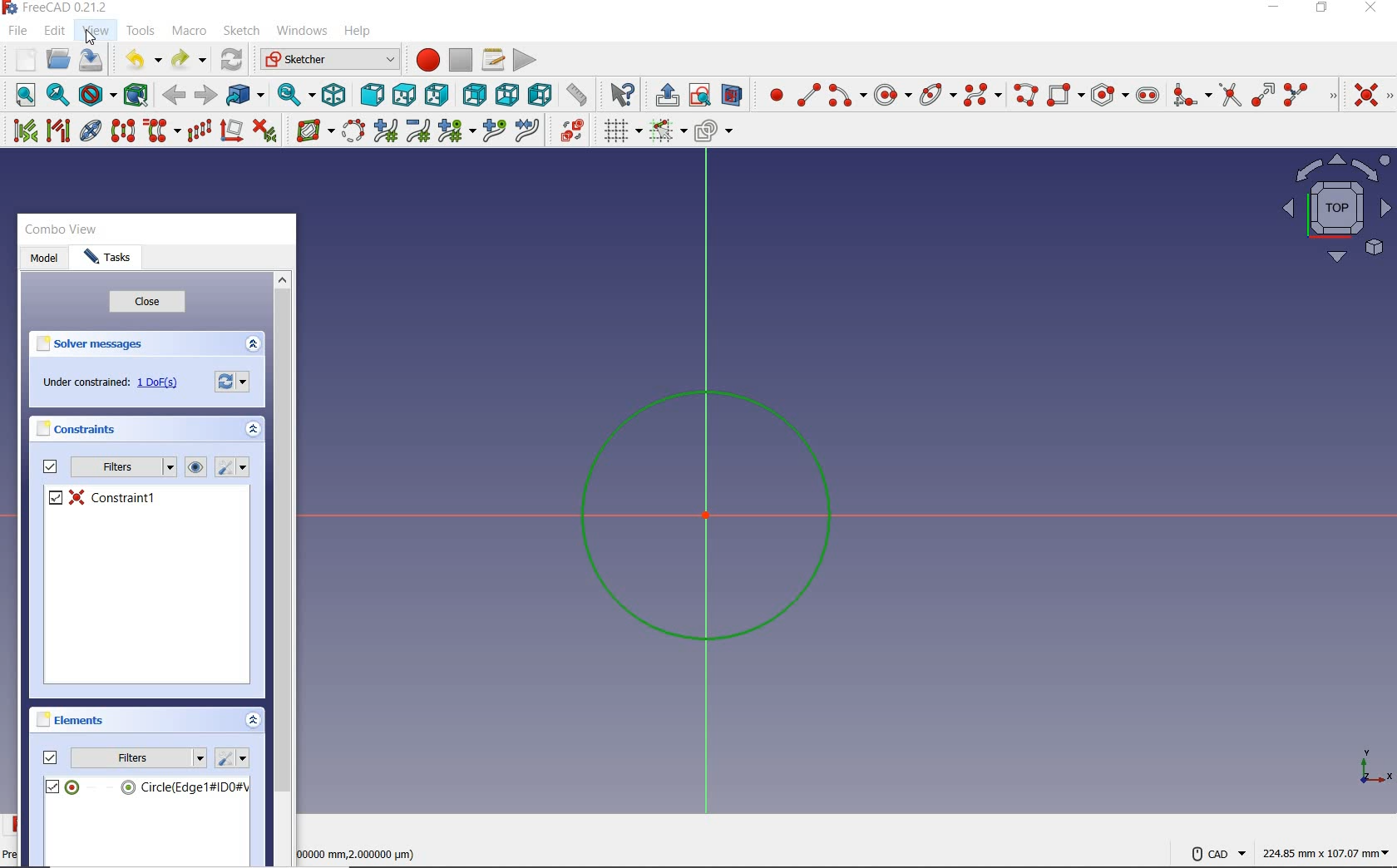 The image size is (1397, 868). Describe the element at coordinates (1374, 767) in the screenshot. I see `coordinate` at that location.